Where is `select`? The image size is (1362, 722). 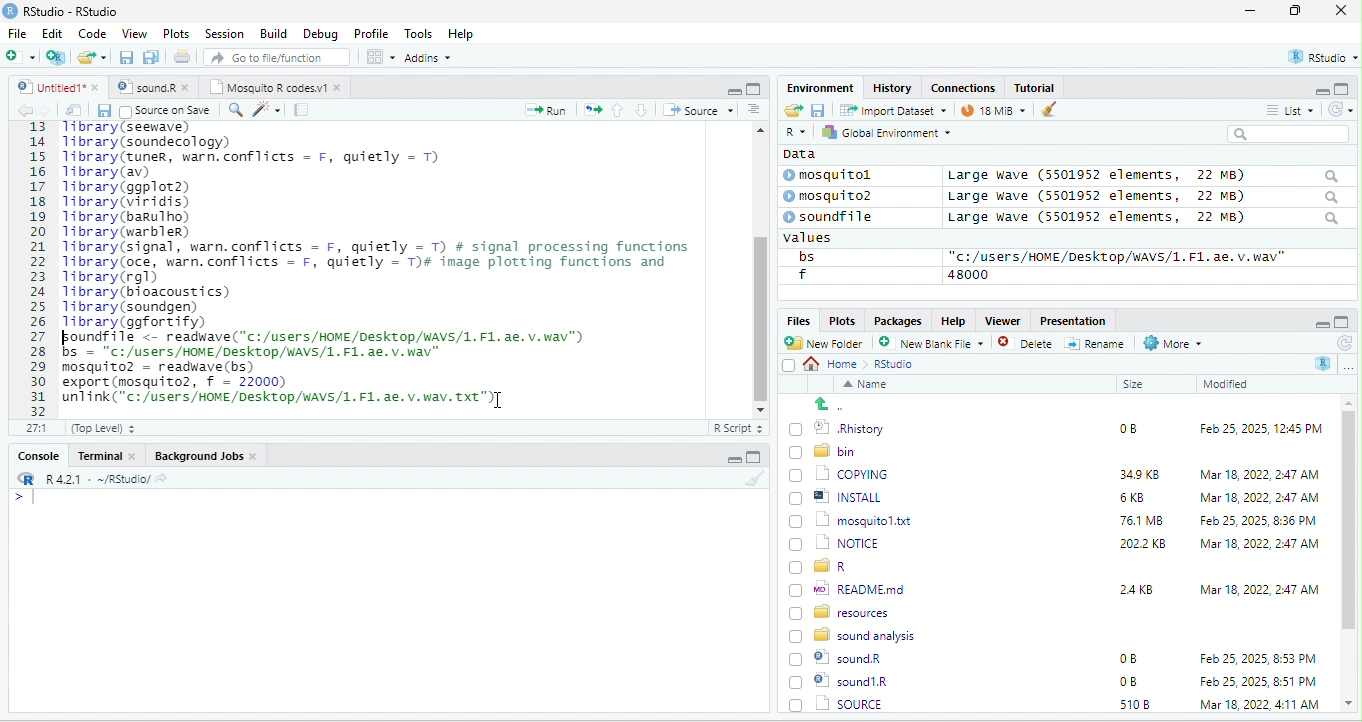 select is located at coordinates (791, 369).